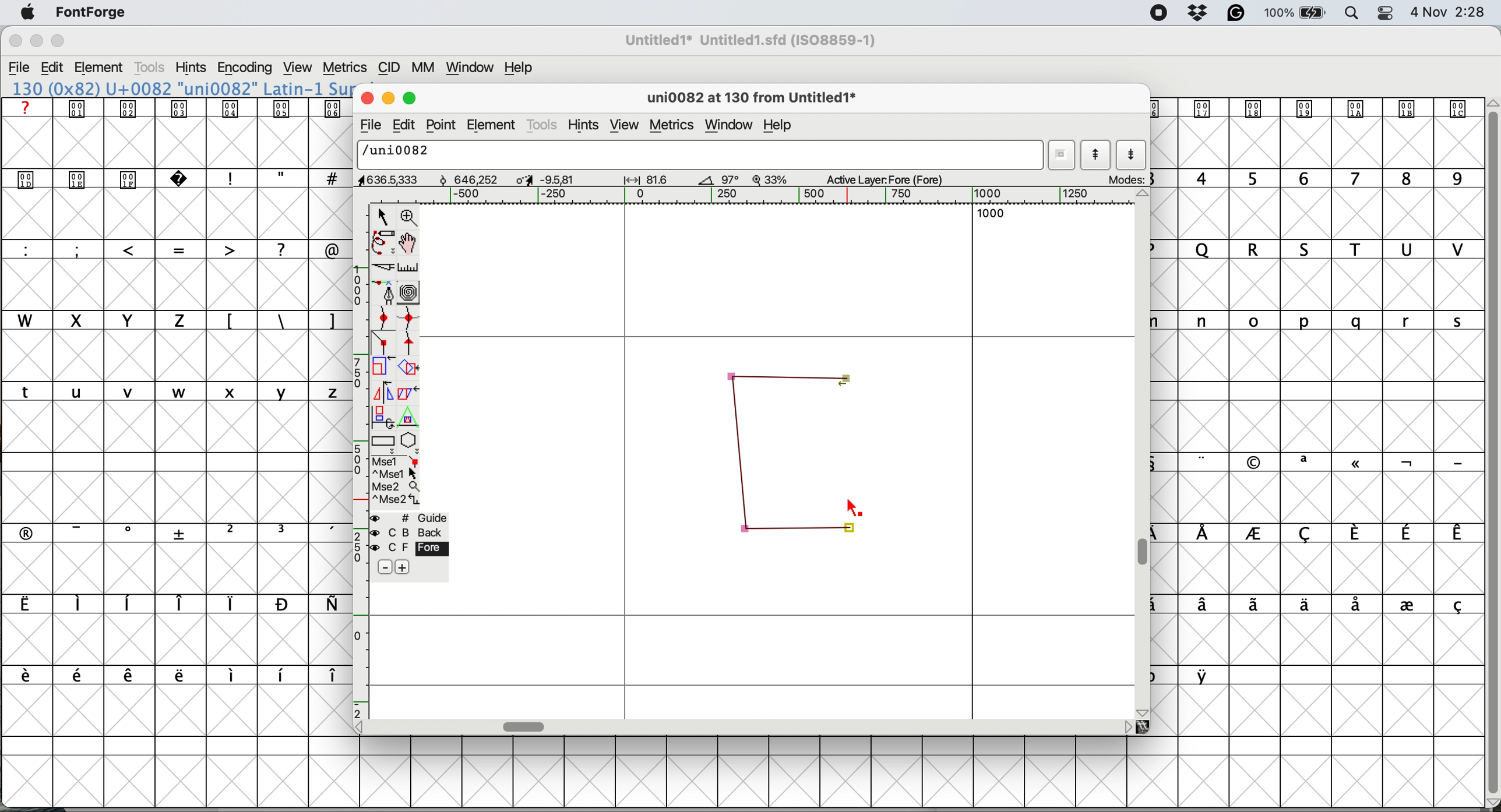 This screenshot has height=812, width=1501. Describe the element at coordinates (386, 292) in the screenshot. I see `add a point and drag out its control points` at that location.